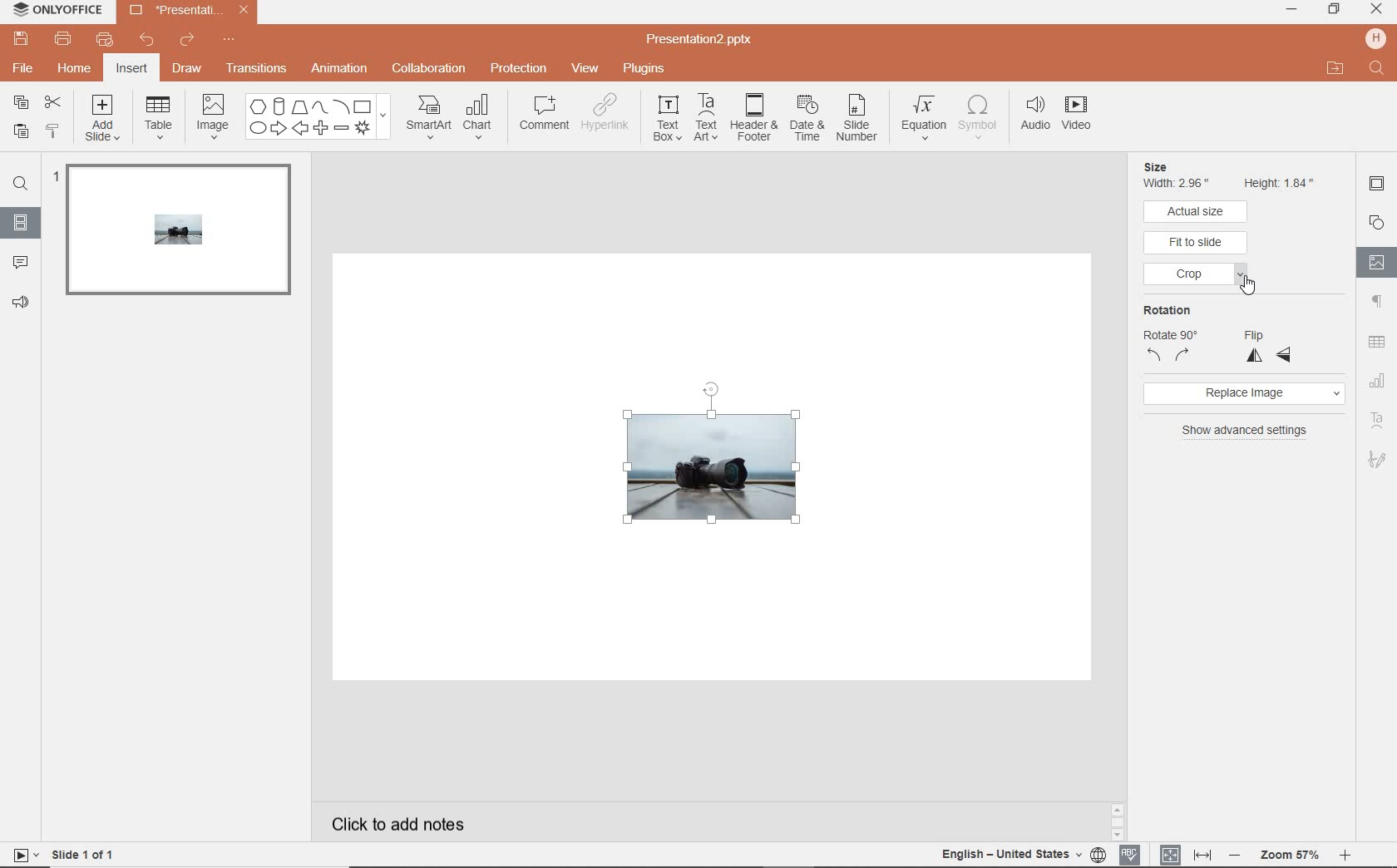  What do you see at coordinates (427, 118) in the screenshot?
I see `smartart` at bounding box center [427, 118].